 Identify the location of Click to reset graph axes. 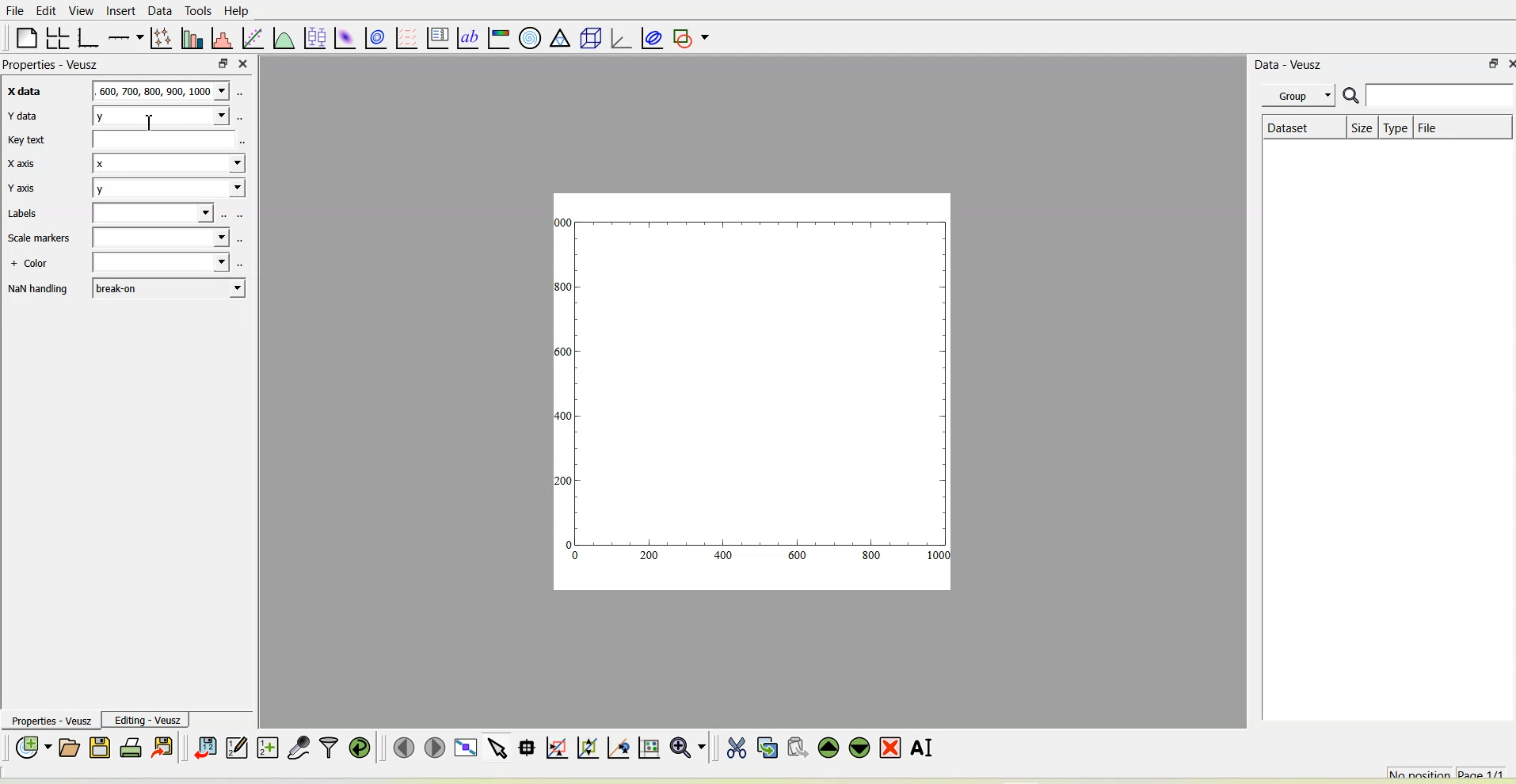
(648, 748).